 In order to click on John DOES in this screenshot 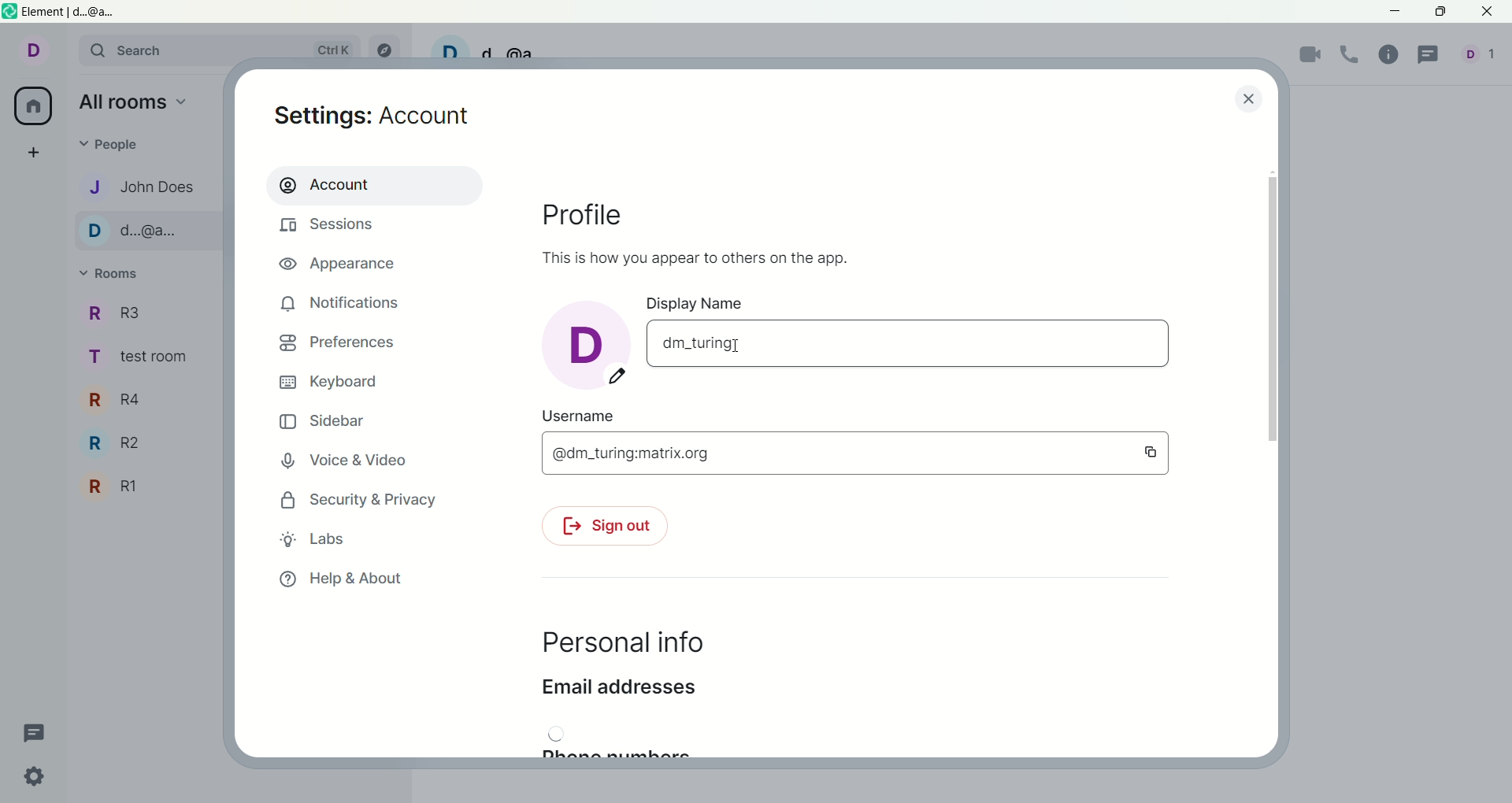, I will do `click(136, 186)`.